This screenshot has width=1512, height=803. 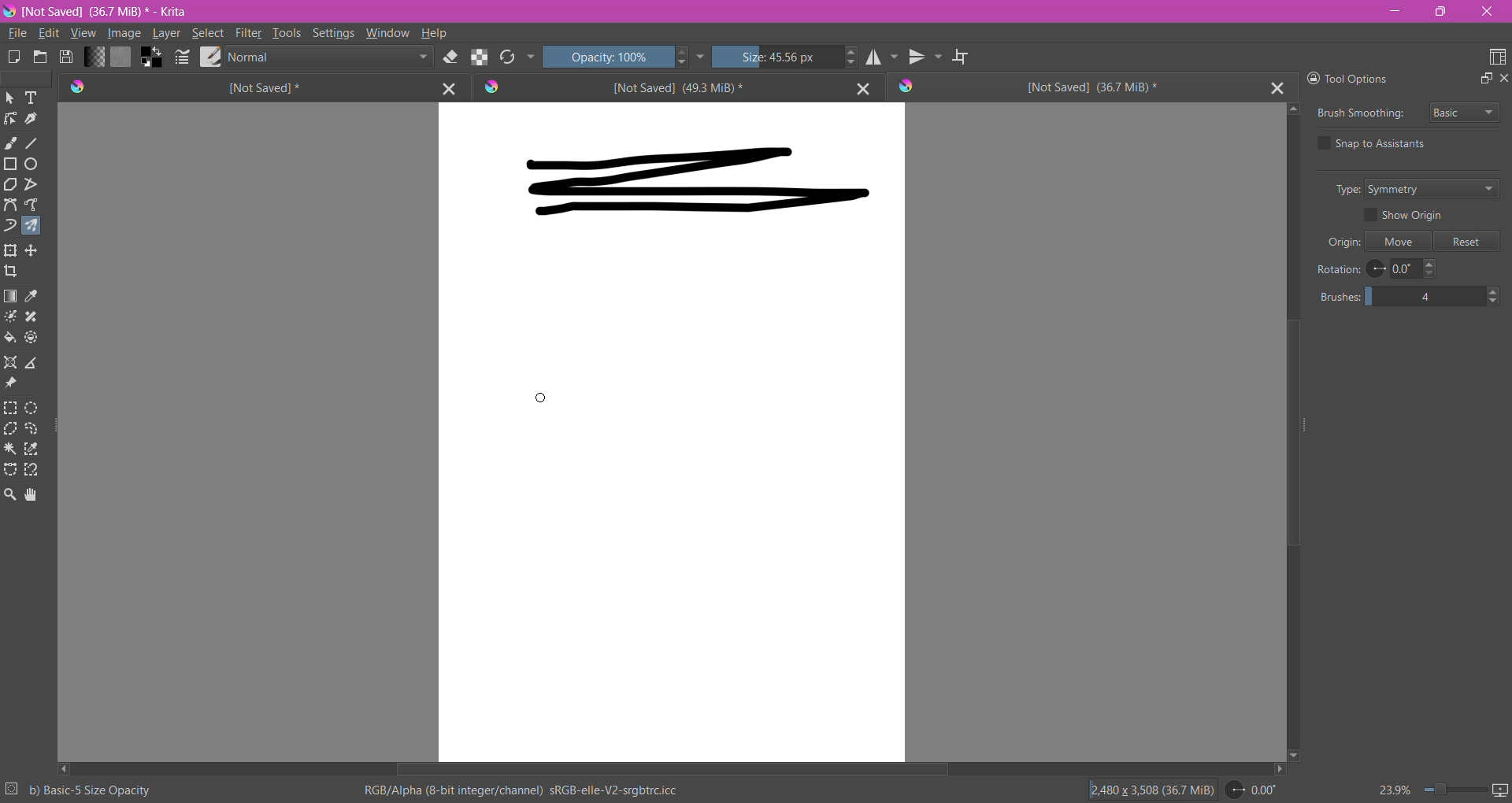 What do you see at coordinates (34, 118) in the screenshot?
I see `Calligraphy` at bounding box center [34, 118].